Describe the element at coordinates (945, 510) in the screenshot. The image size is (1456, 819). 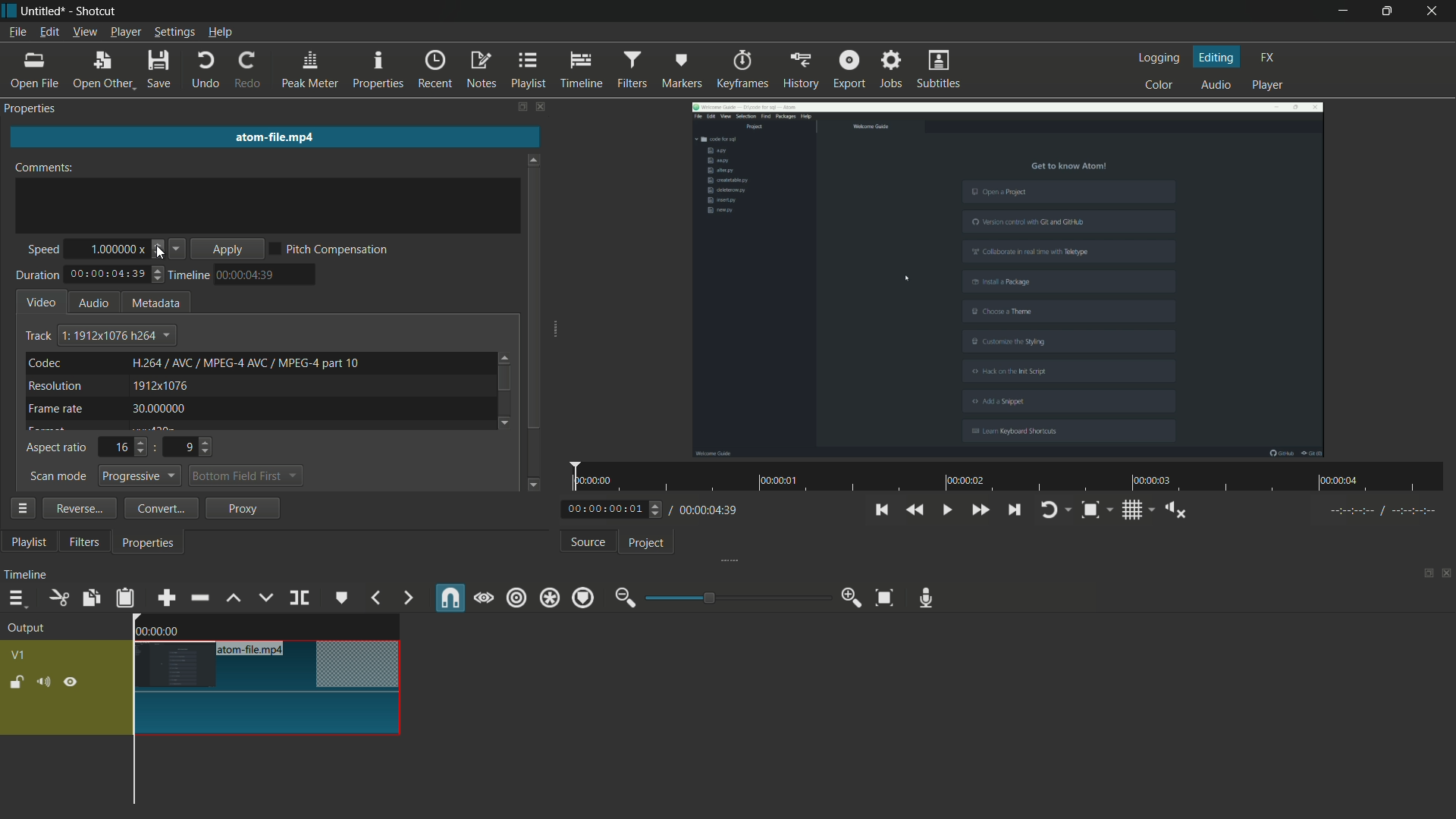
I see `toggle play or pause` at that location.